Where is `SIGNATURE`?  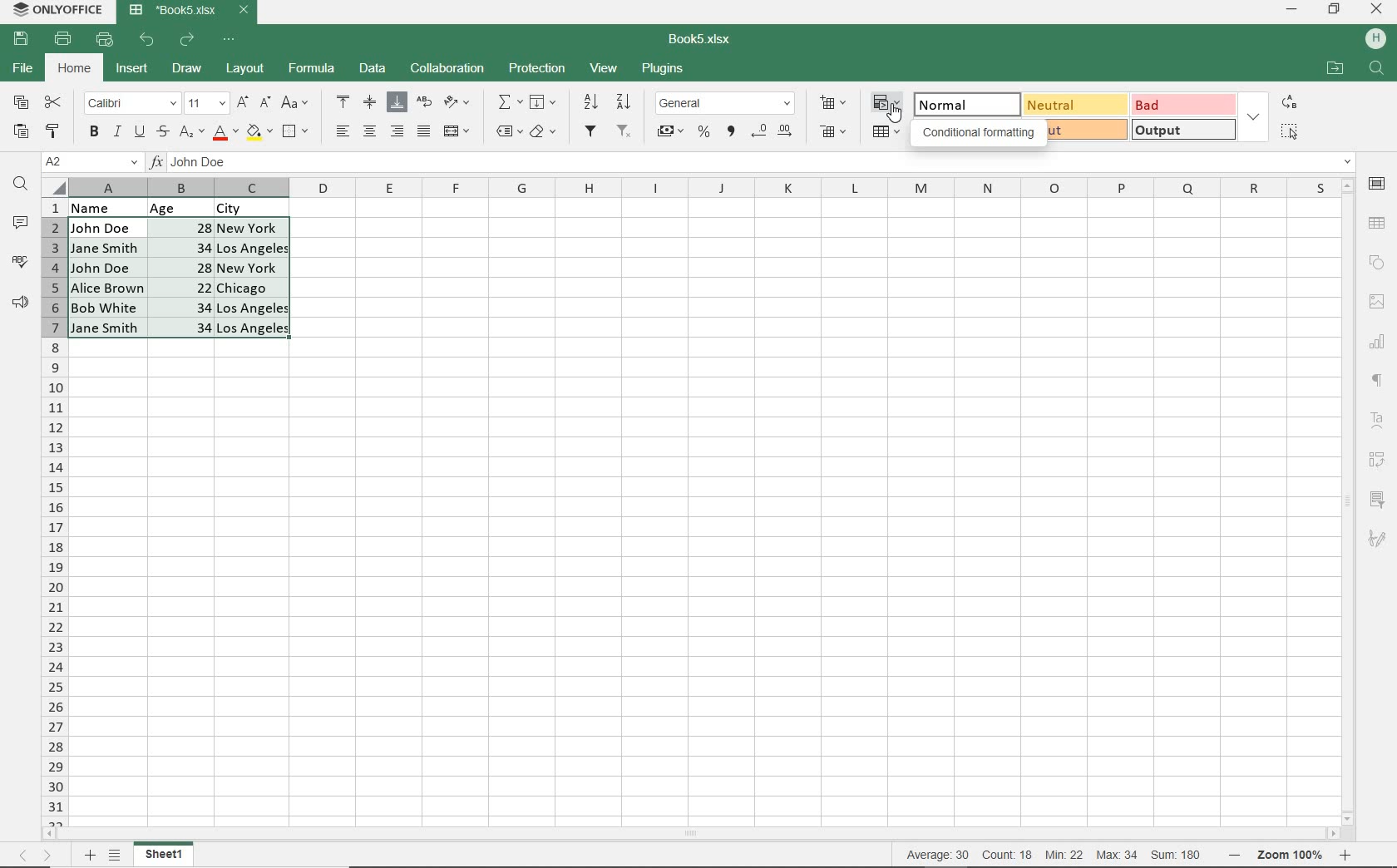 SIGNATURE is located at coordinates (1377, 538).